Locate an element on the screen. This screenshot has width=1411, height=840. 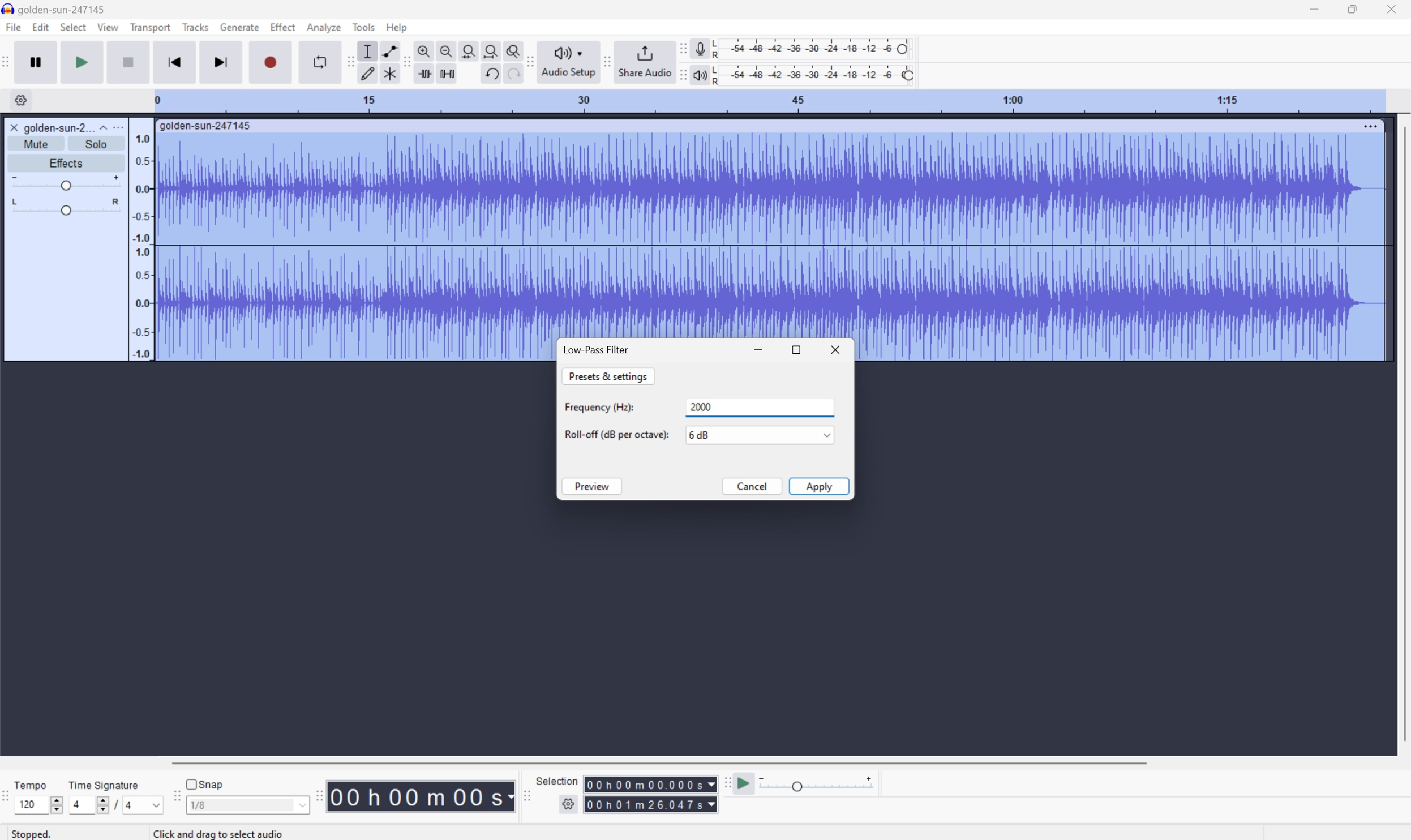
Cancel is located at coordinates (752, 487).